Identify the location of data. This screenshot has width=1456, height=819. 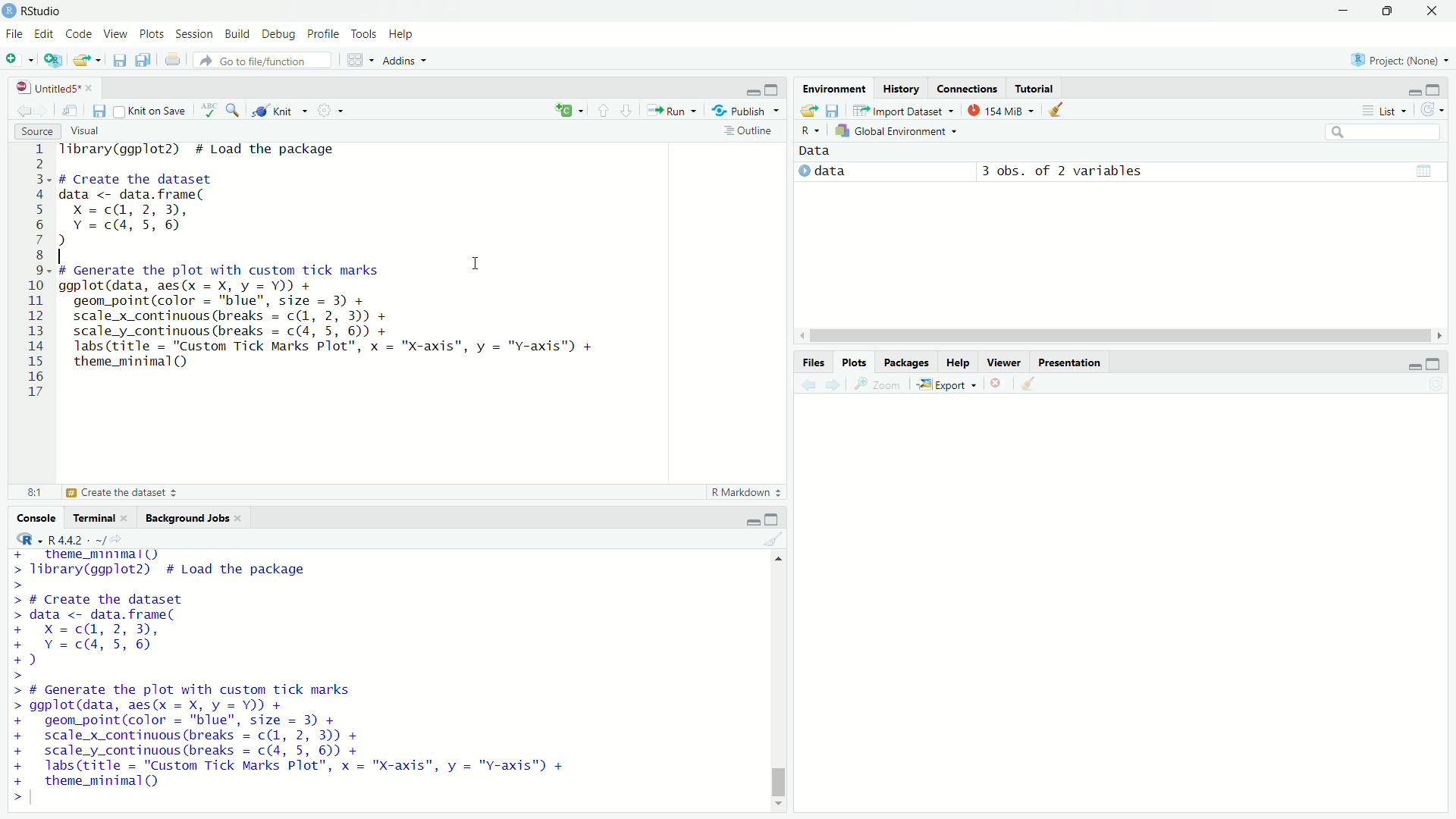
(827, 151).